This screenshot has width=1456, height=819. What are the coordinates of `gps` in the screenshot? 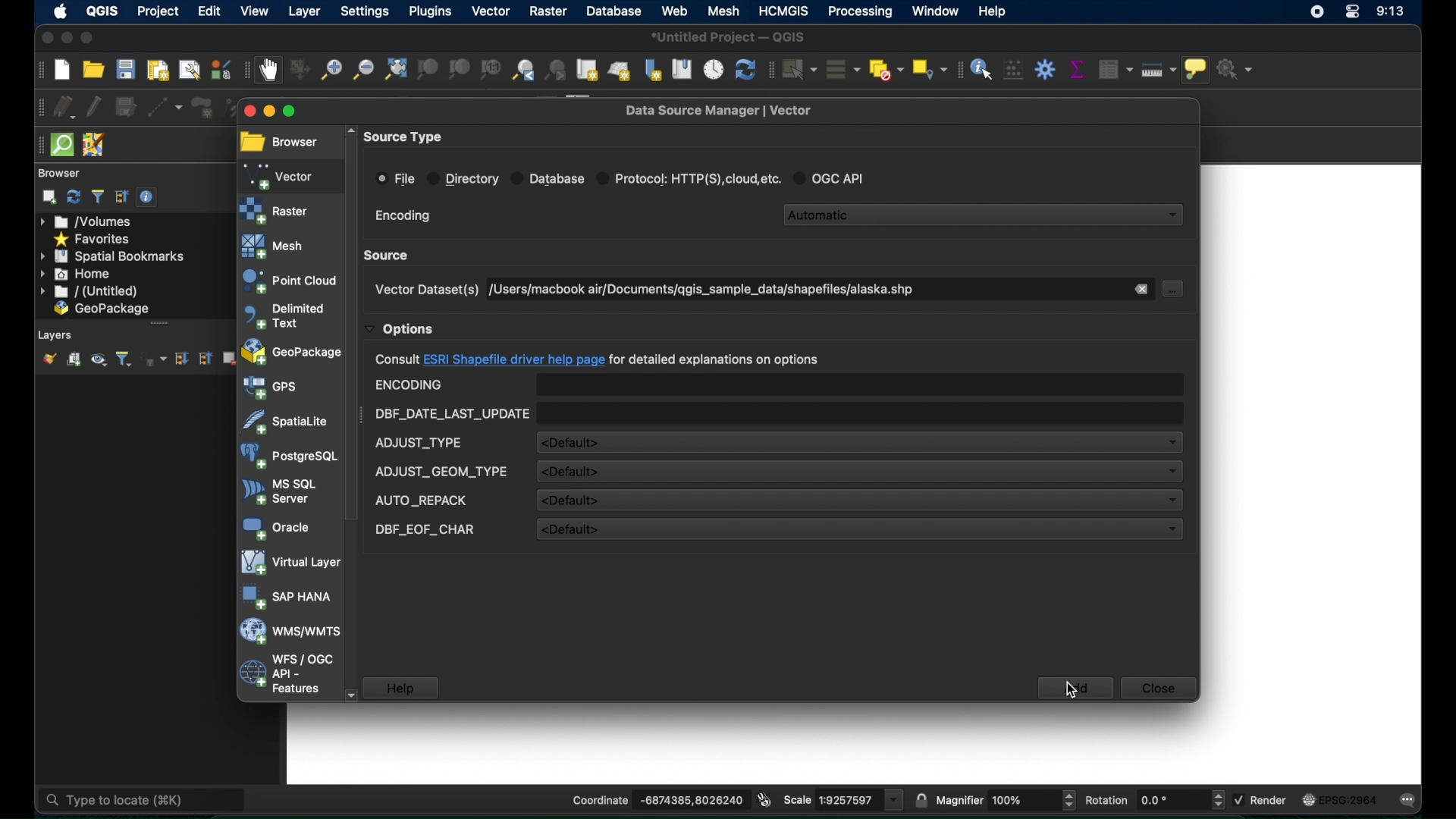 It's located at (271, 388).